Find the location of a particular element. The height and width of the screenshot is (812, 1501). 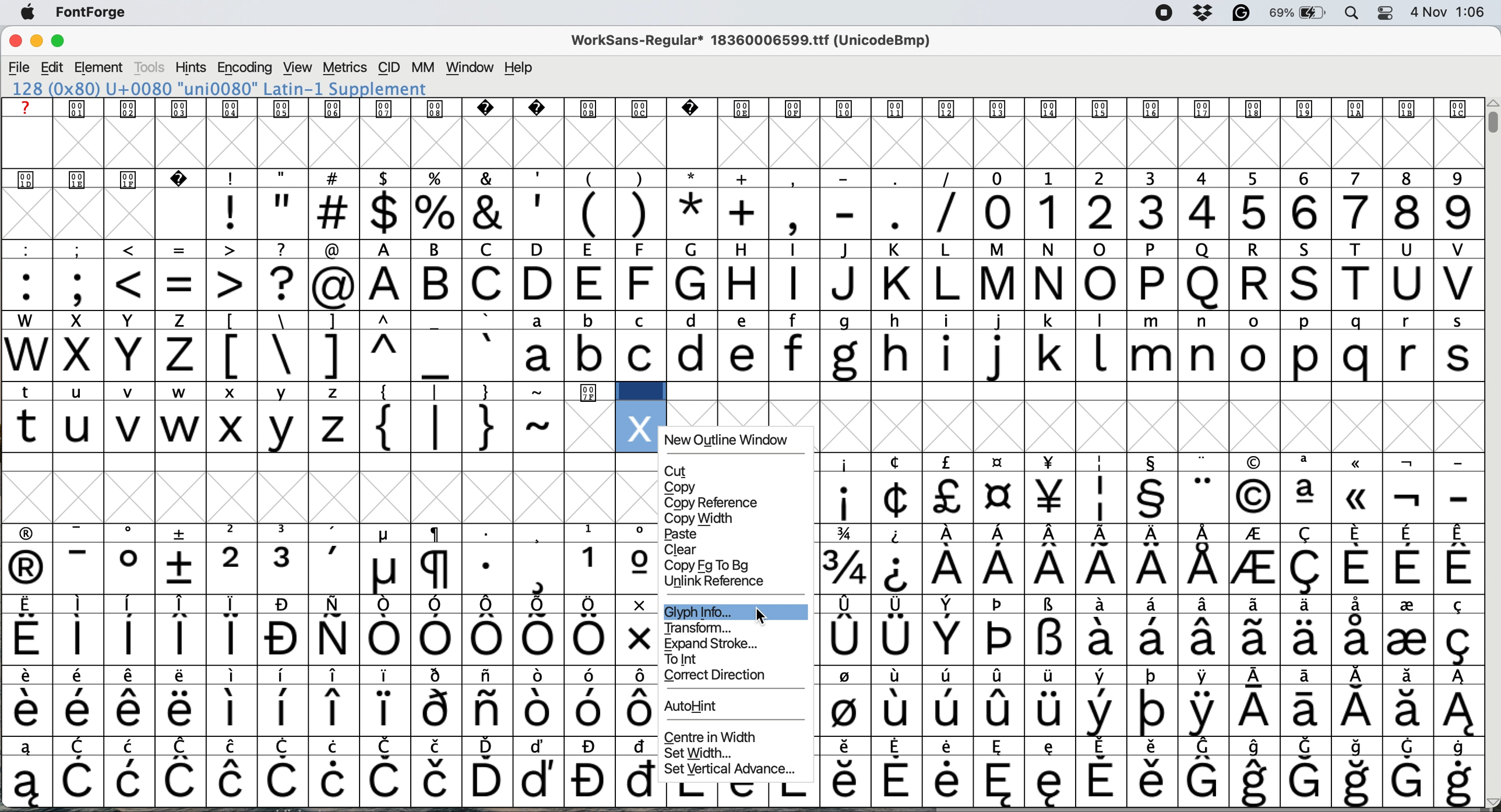

hints is located at coordinates (191, 69).